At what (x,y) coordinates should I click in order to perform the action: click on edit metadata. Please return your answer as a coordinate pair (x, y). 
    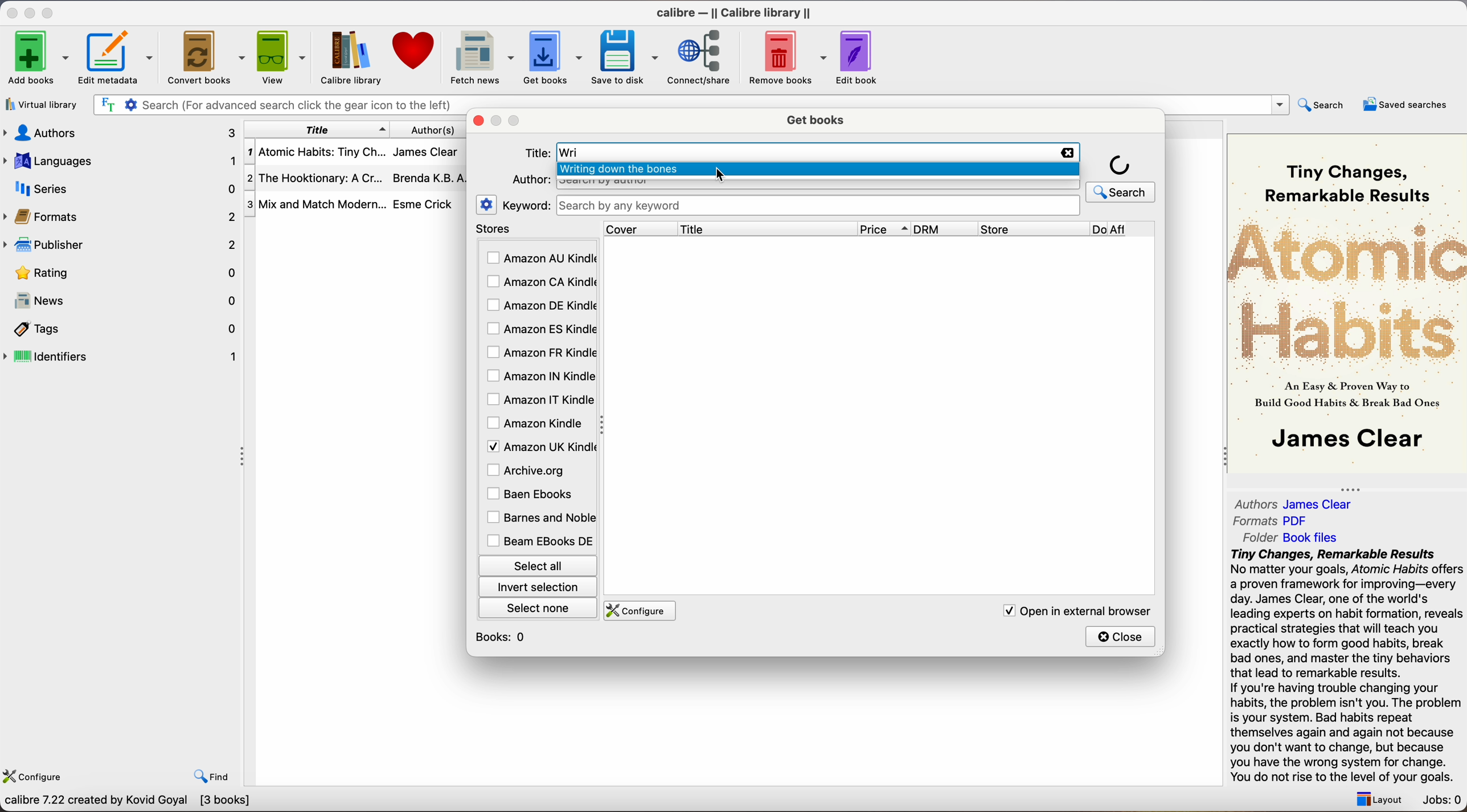
    Looking at the image, I should click on (119, 59).